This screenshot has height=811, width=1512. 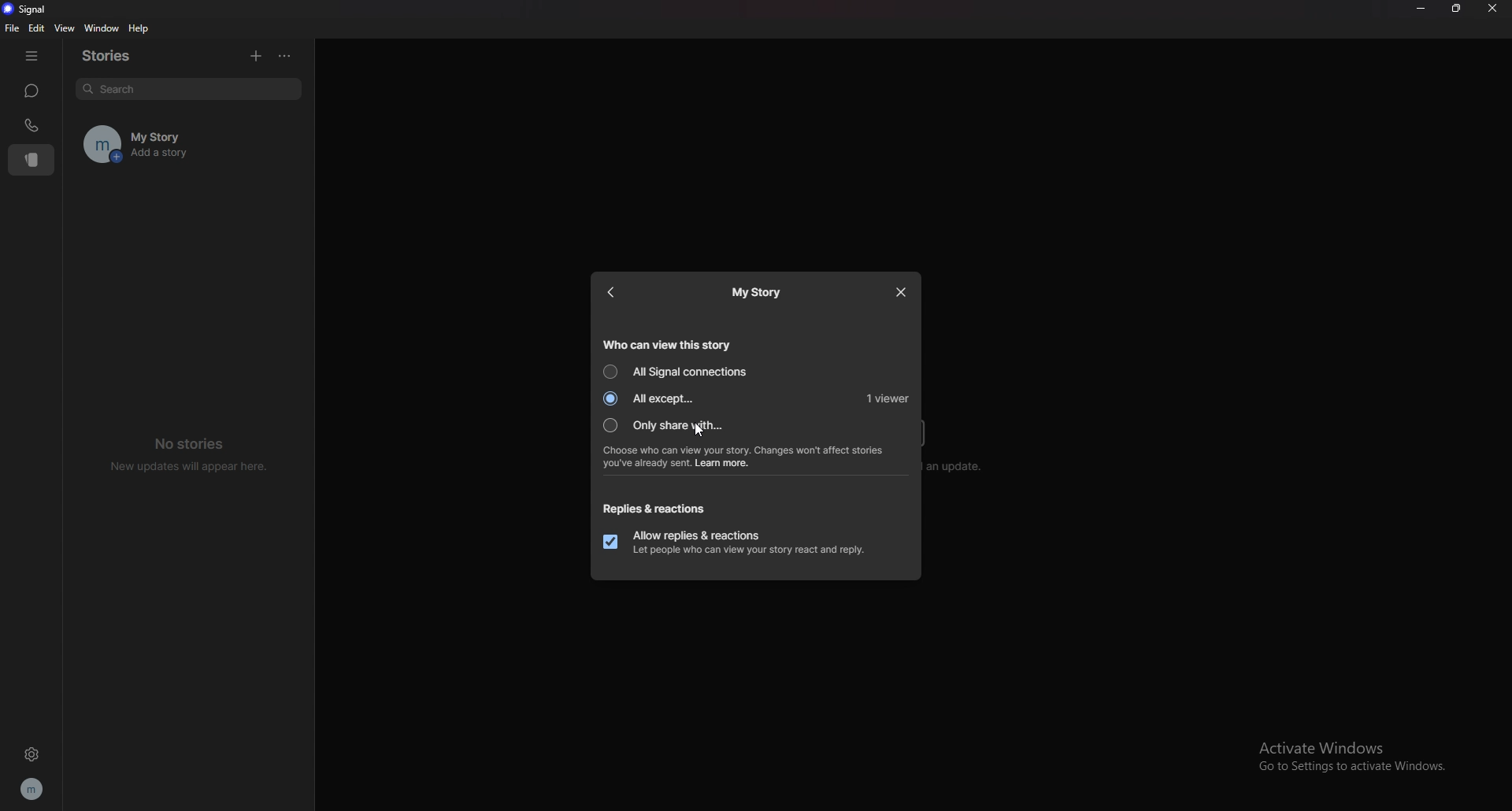 What do you see at coordinates (657, 508) in the screenshot?
I see `replies and reactions` at bounding box center [657, 508].